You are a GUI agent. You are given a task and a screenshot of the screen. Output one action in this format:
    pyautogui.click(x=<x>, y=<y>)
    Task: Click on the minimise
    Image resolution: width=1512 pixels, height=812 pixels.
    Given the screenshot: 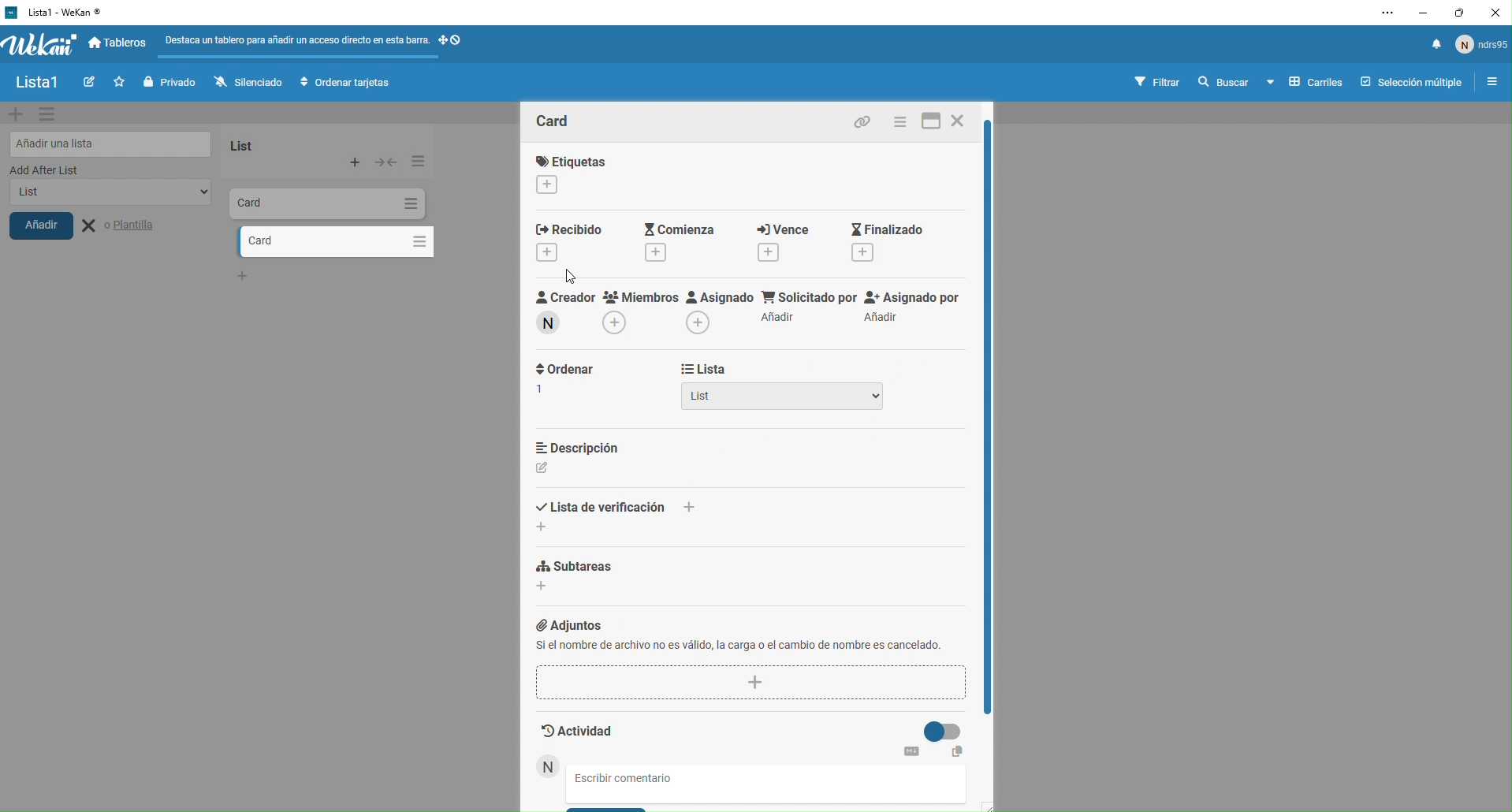 What is the action you would take?
    pyautogui.click(x=1421, y=12)
    